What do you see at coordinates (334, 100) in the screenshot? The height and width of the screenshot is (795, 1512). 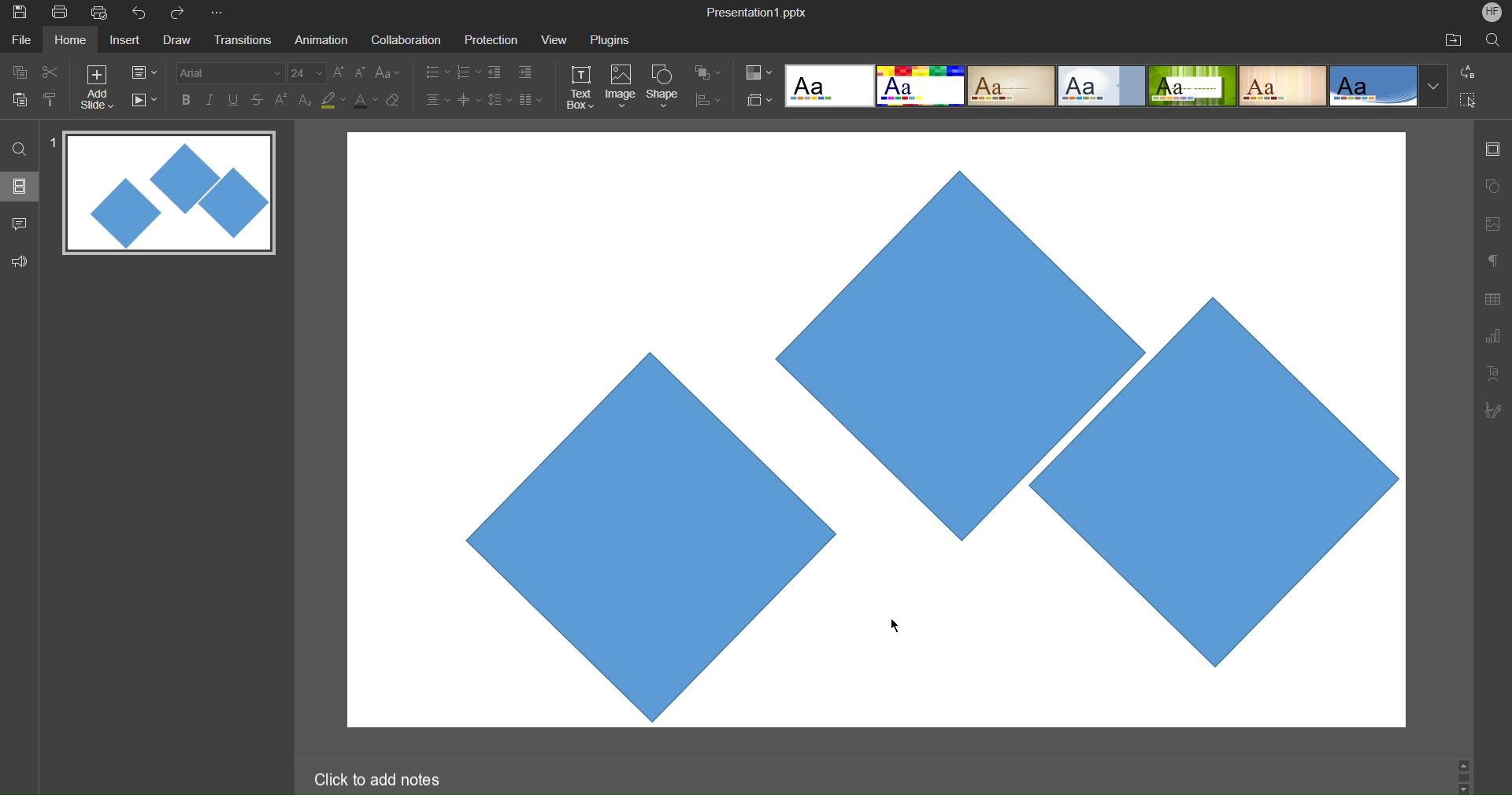 I see `Highlight` at bounding box center [334, 100].